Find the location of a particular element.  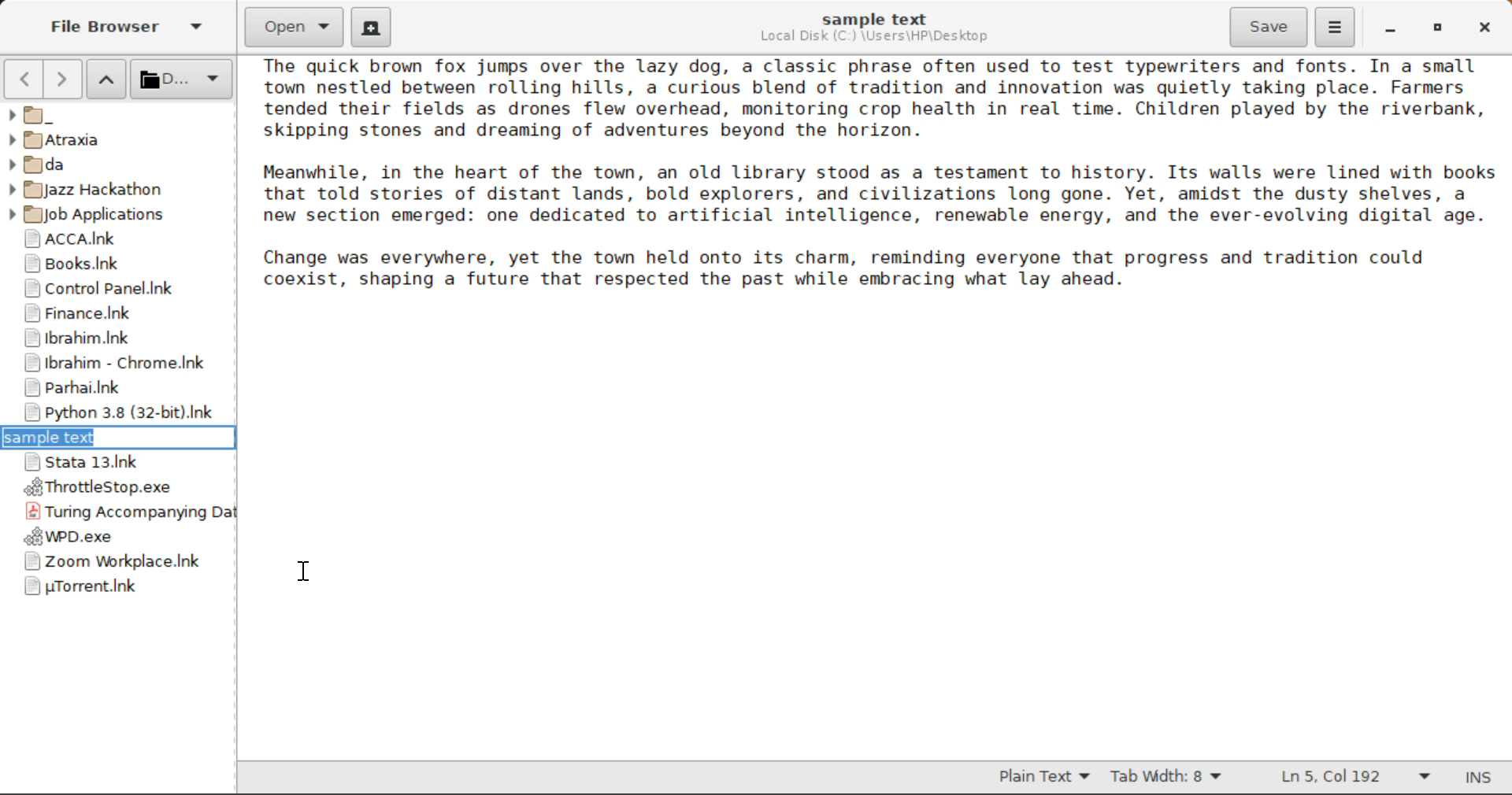

da Folder is located at coordinates (119, 162).